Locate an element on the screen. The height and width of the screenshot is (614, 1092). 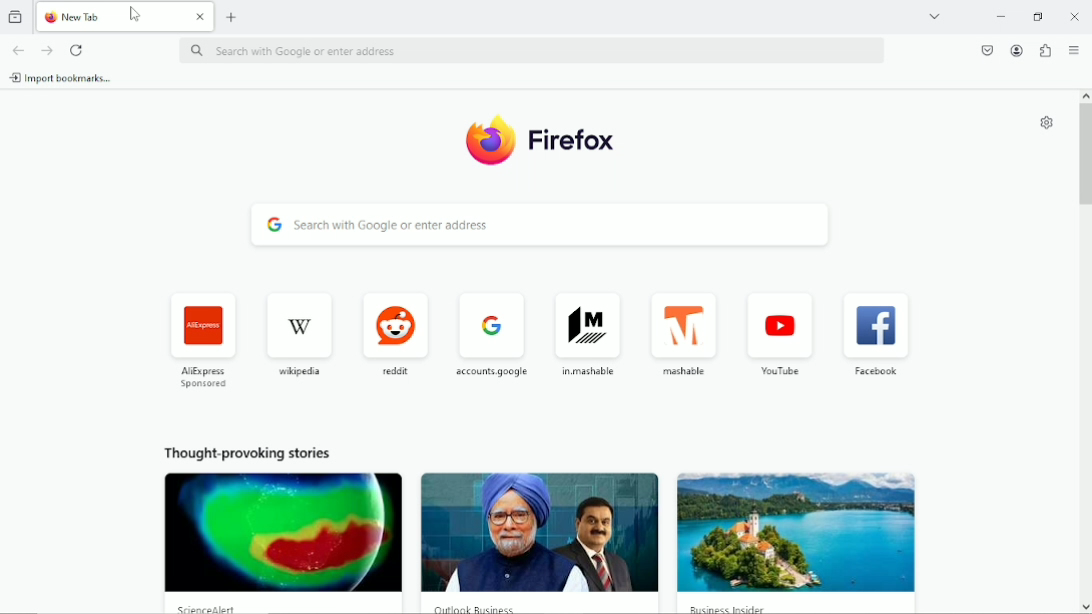
go forward is located at coordinates (46, 51).